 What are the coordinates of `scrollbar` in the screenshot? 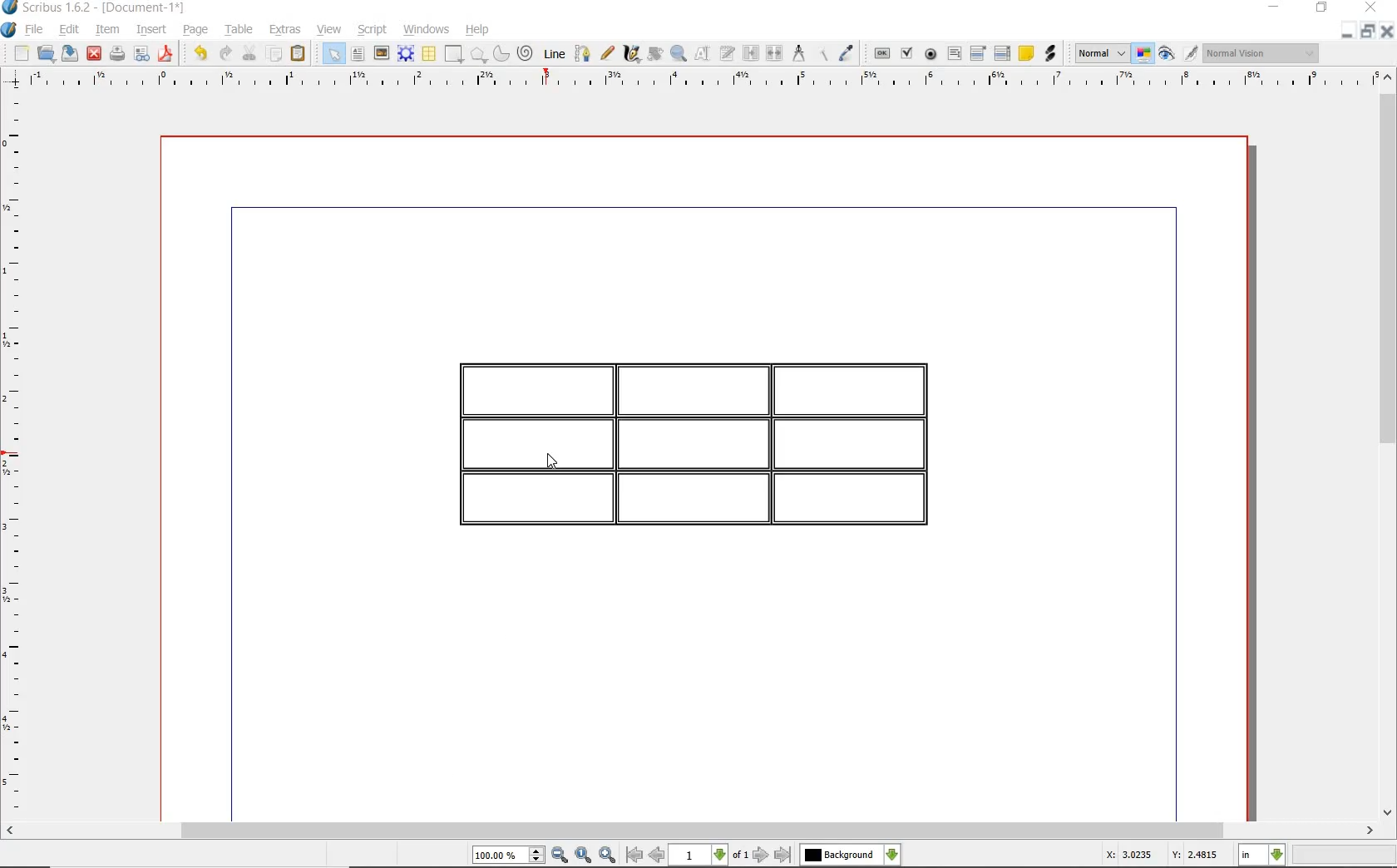 It's located at (698, 831).